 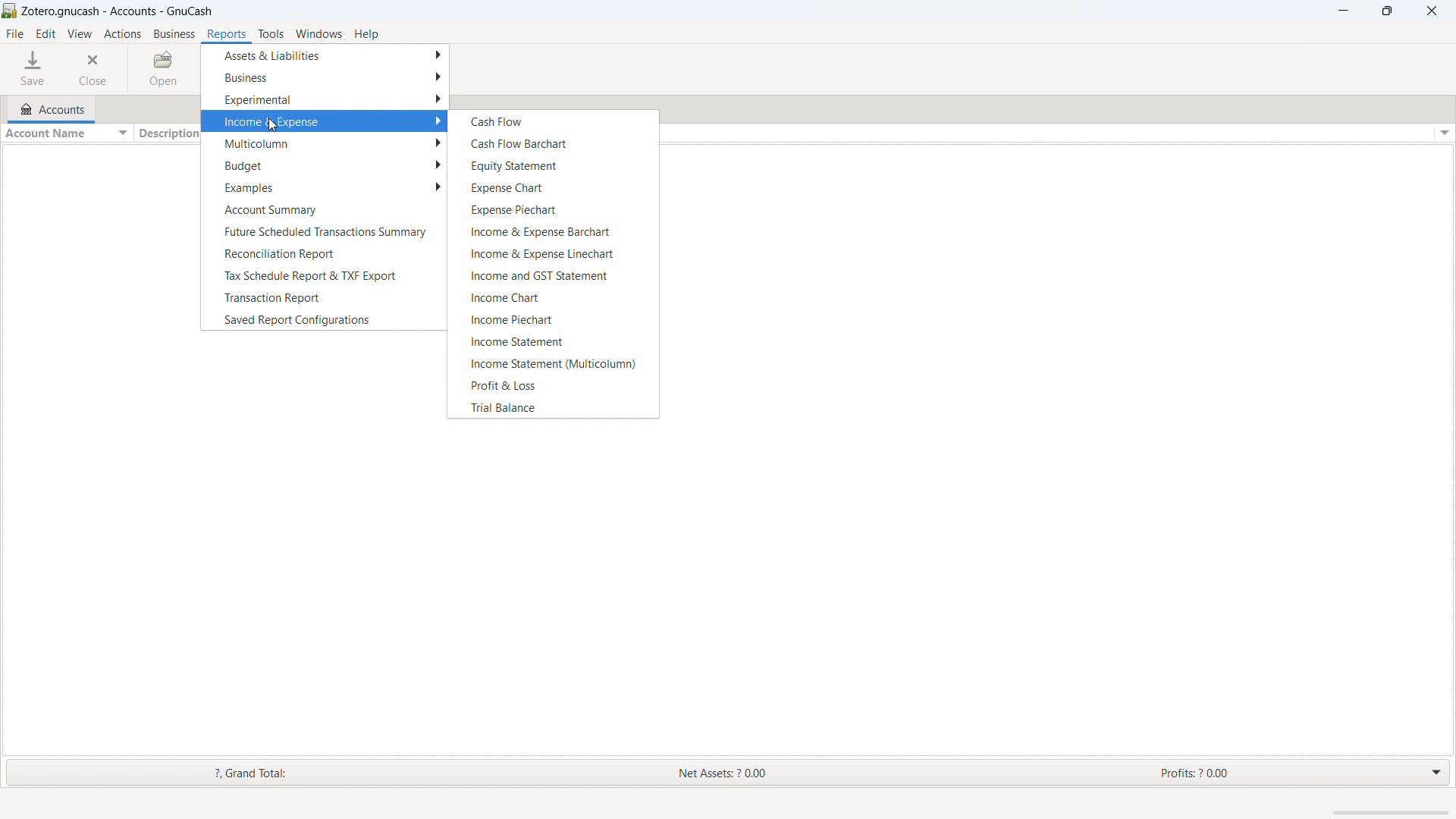 I want to click on actions, so click(x=123, y=34).